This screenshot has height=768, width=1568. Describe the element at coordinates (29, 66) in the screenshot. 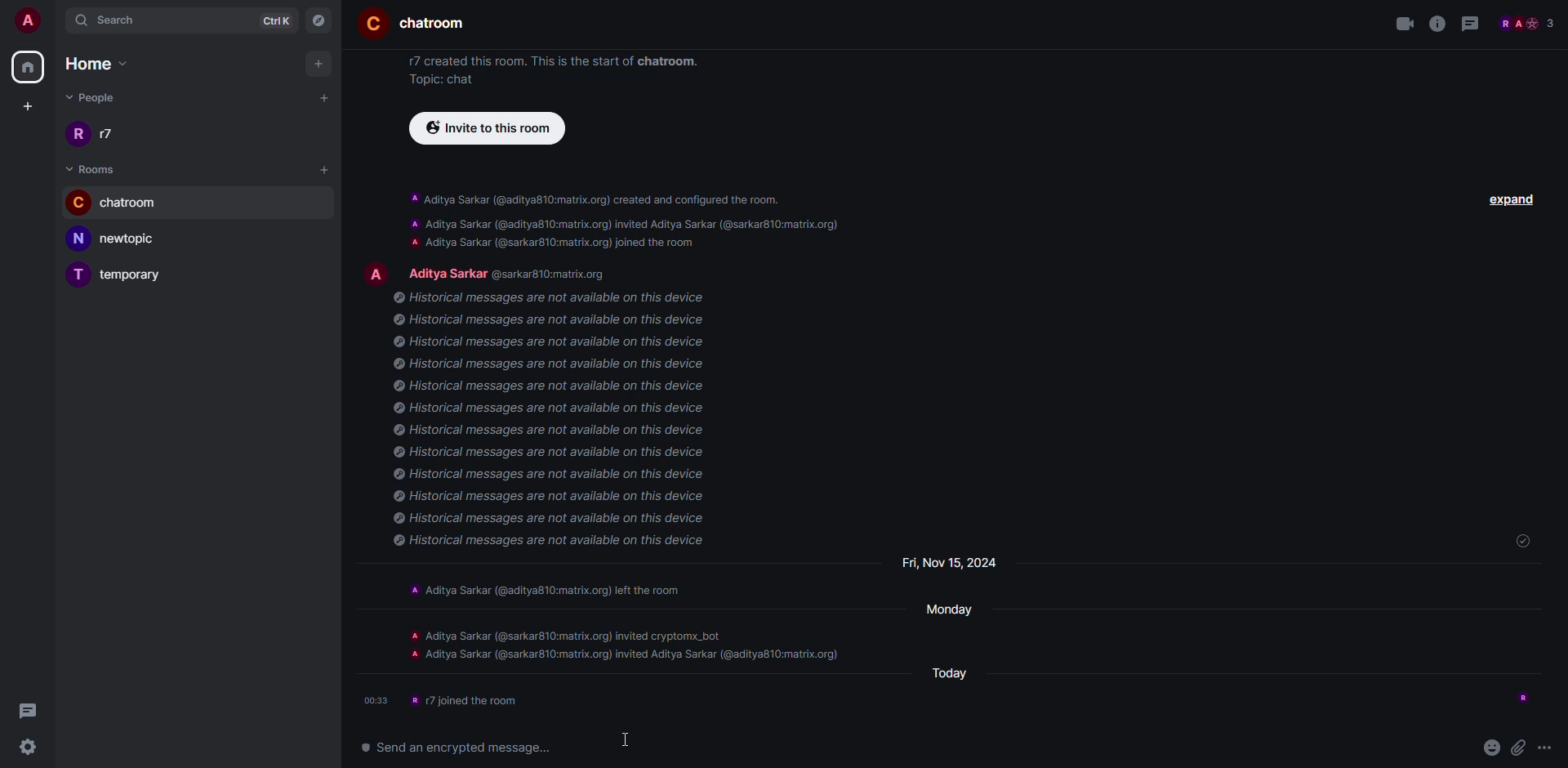

I see `home` at that location.